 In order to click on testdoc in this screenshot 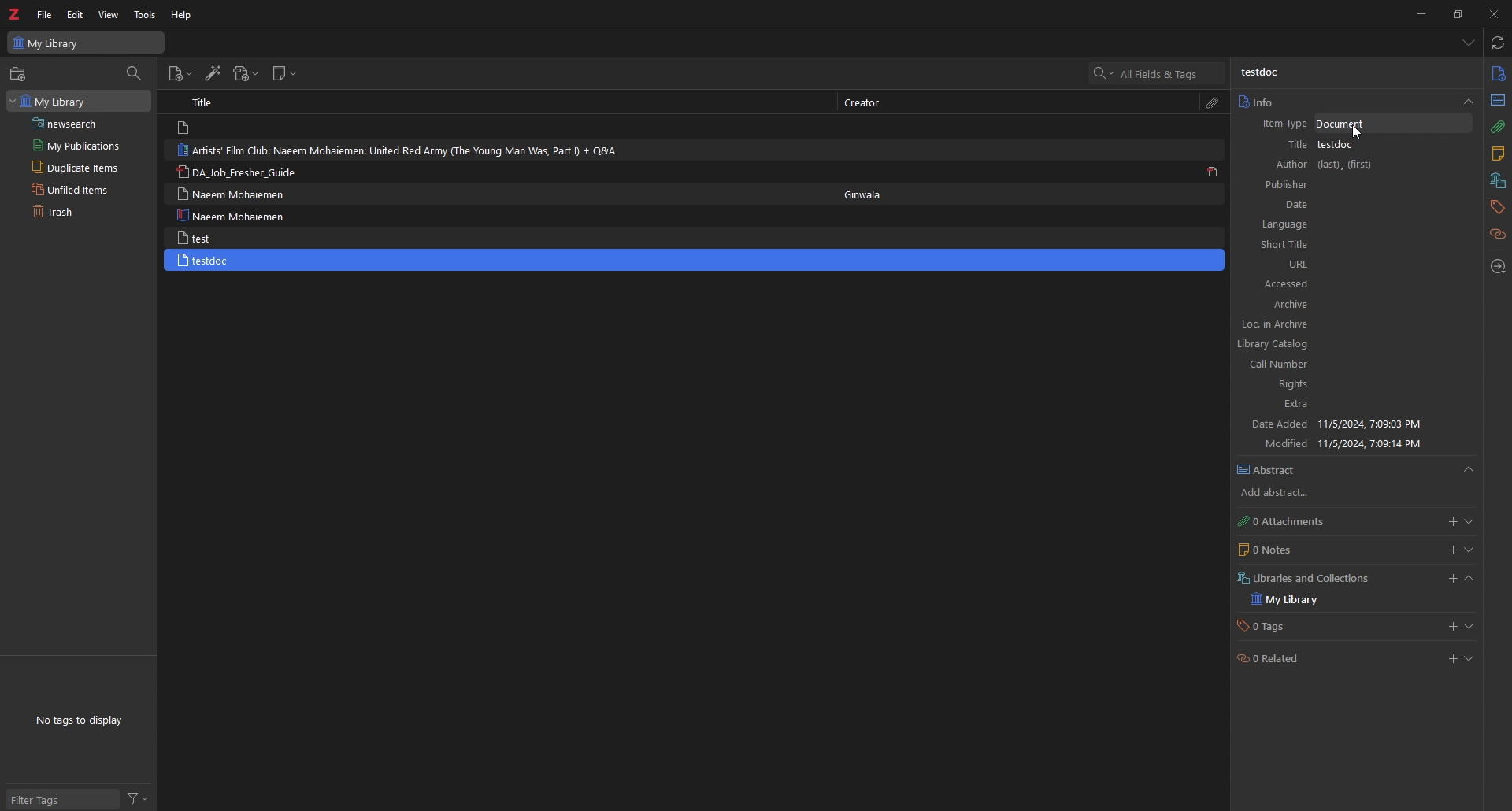, I will do `click(1259, 73)`.